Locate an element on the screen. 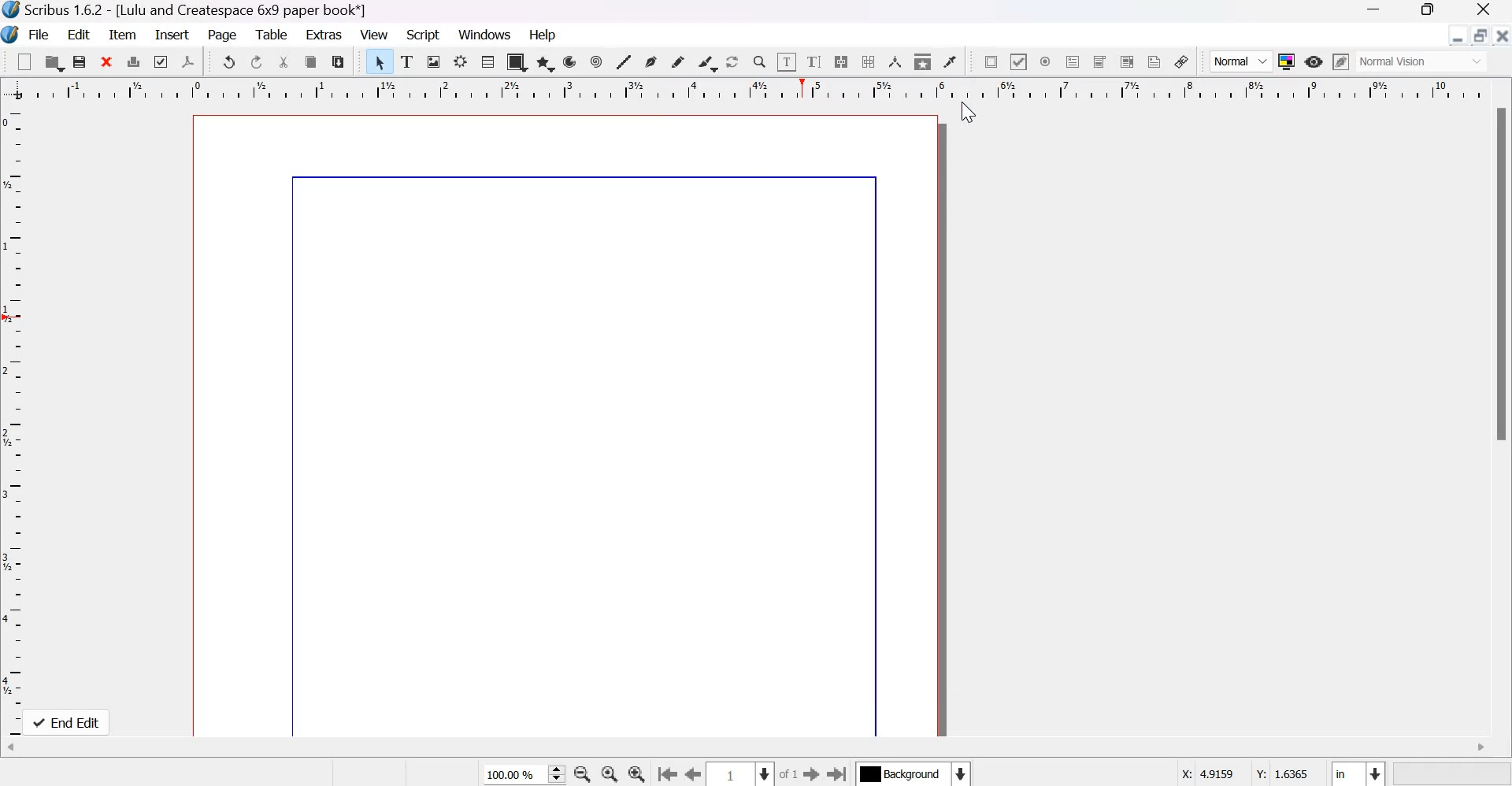 Image resolution: width=1512 pixels, height=786 pixels. Select item is located at coordinates (380, 62).